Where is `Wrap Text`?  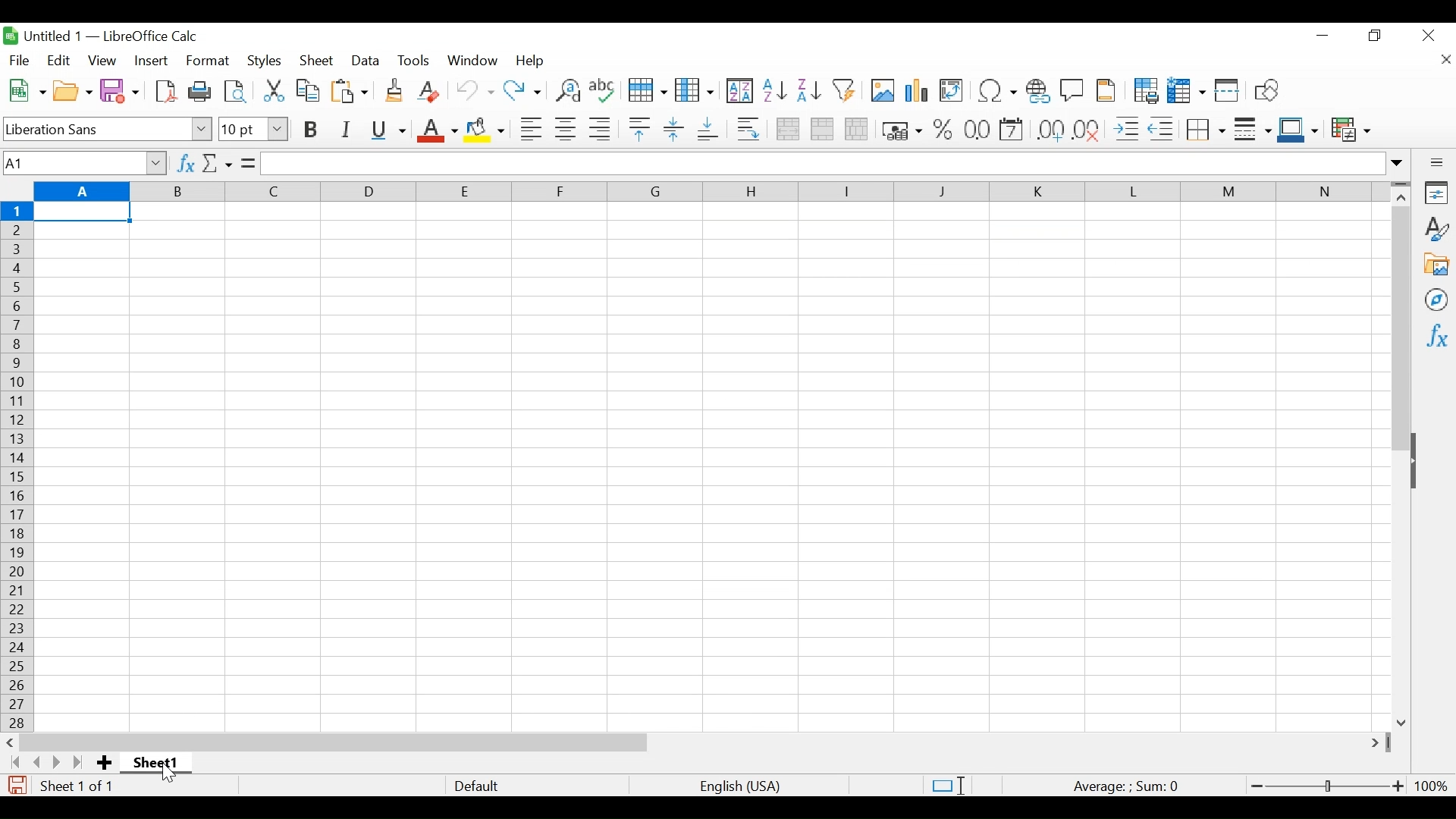
Wrap Text is located at coordinates (748, 129).